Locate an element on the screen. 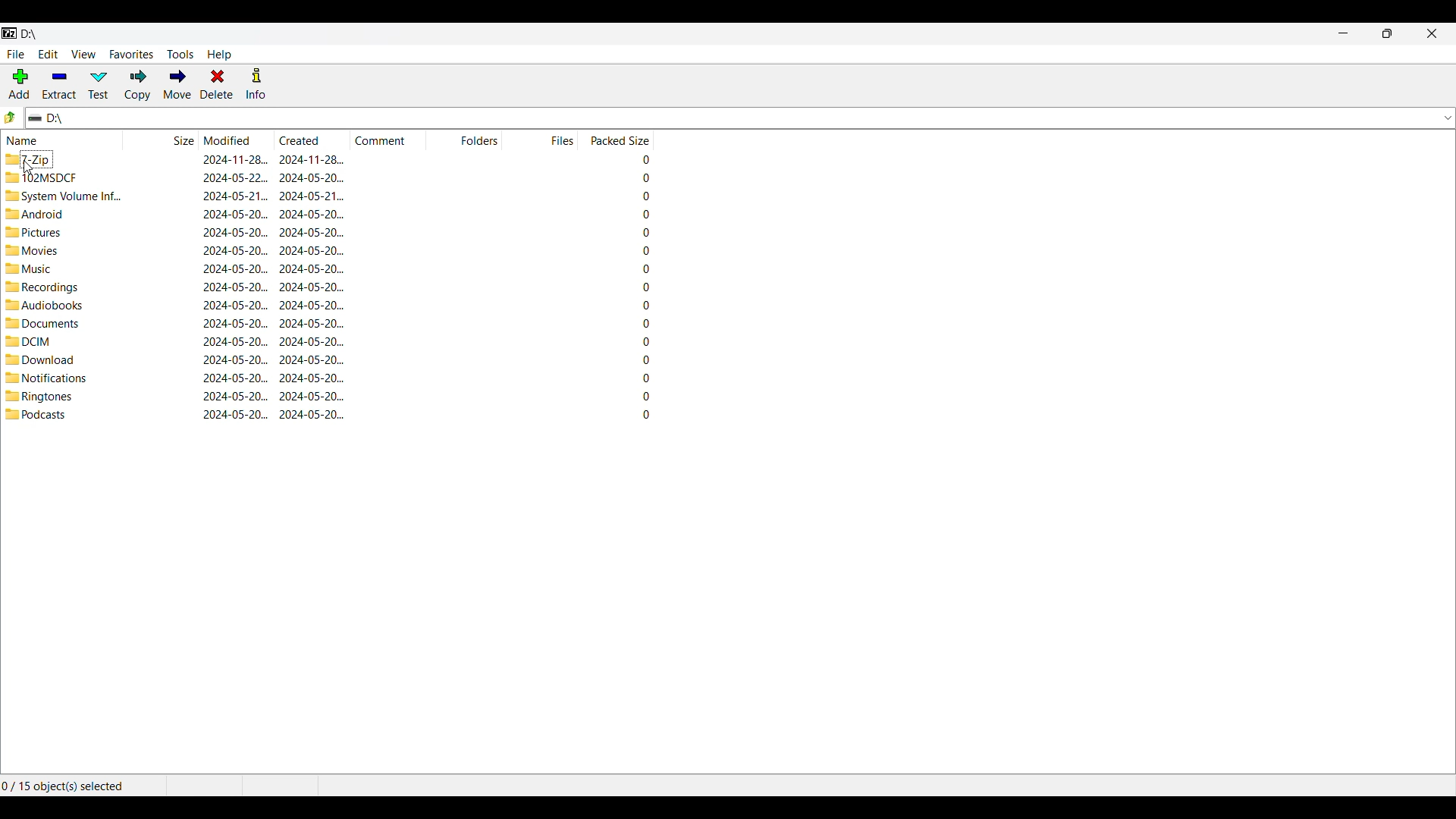 The image size is (1456, 819). folder is located at coordinates (34, 214).